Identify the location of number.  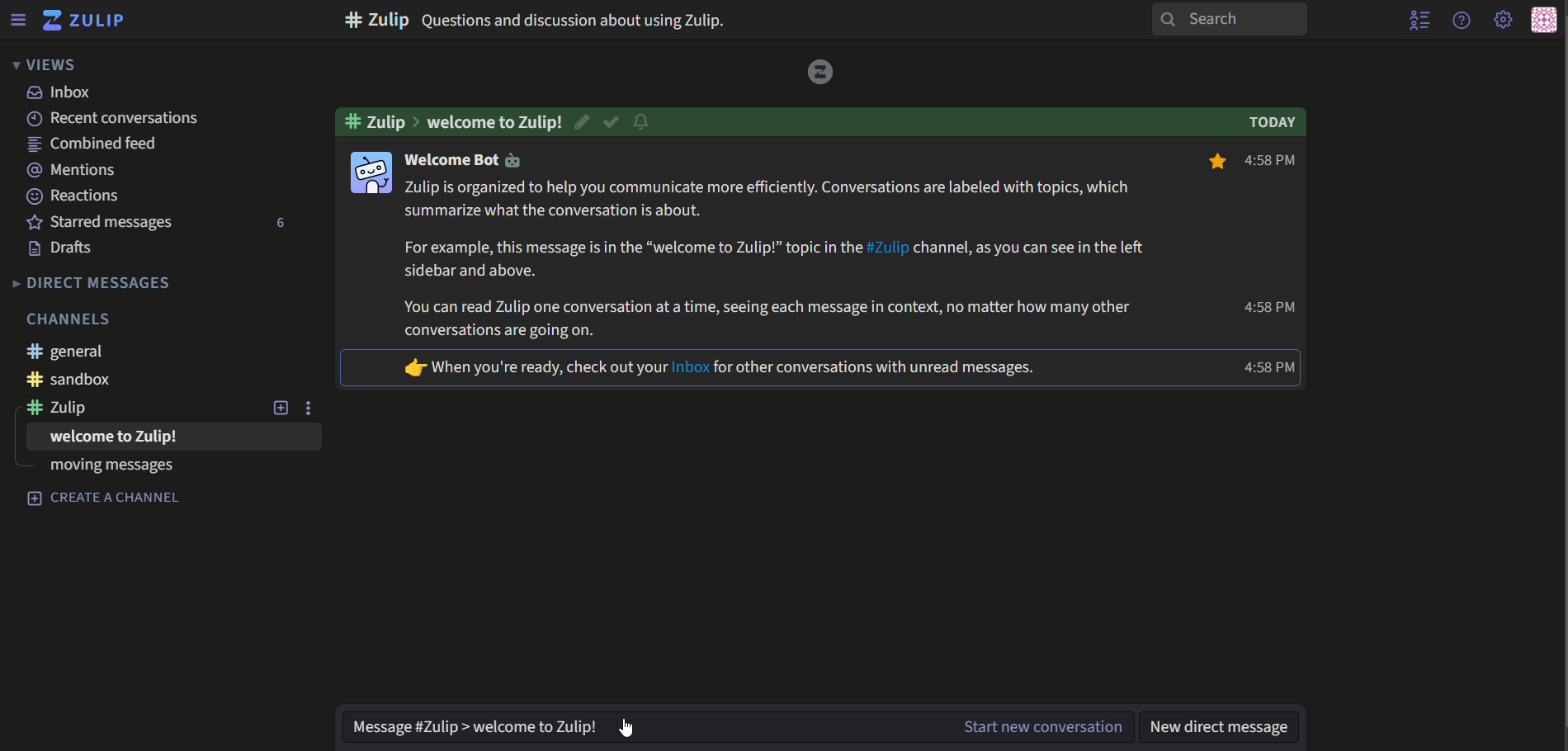
(276, 224).